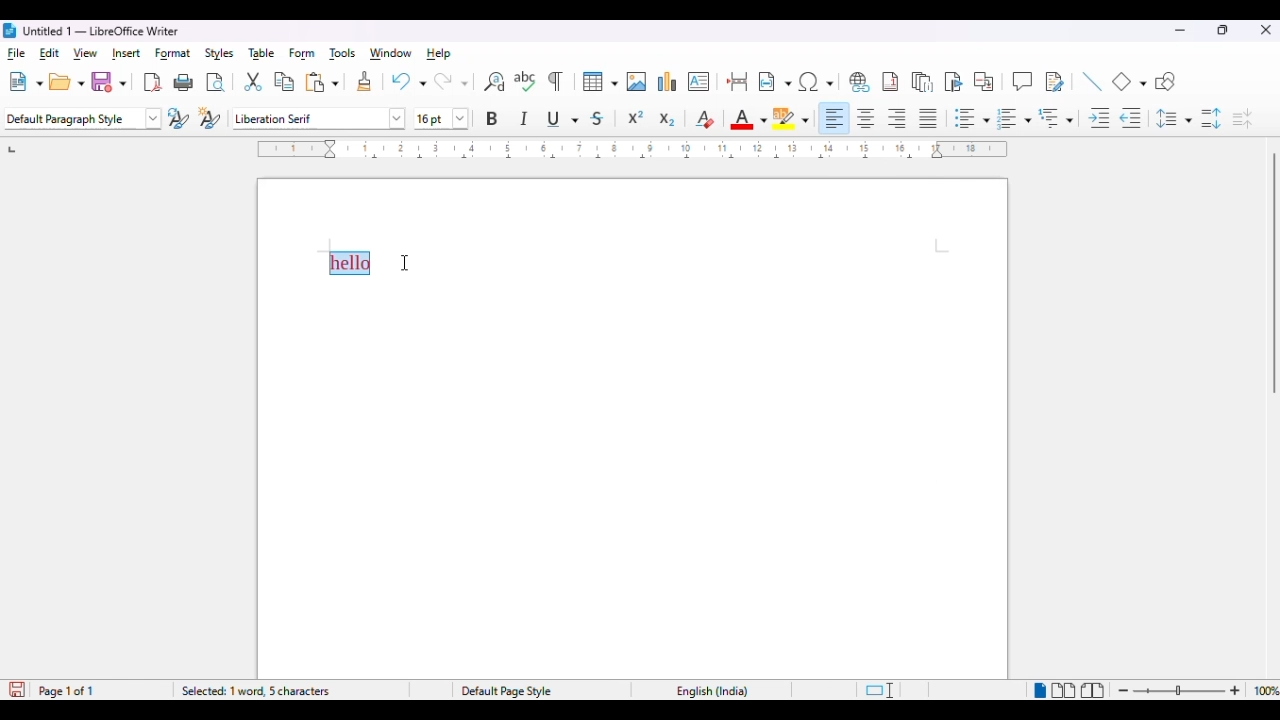 The height and width of the screenshot is (720, 1280). I want to click on basic shapes, so click(1130, 81).